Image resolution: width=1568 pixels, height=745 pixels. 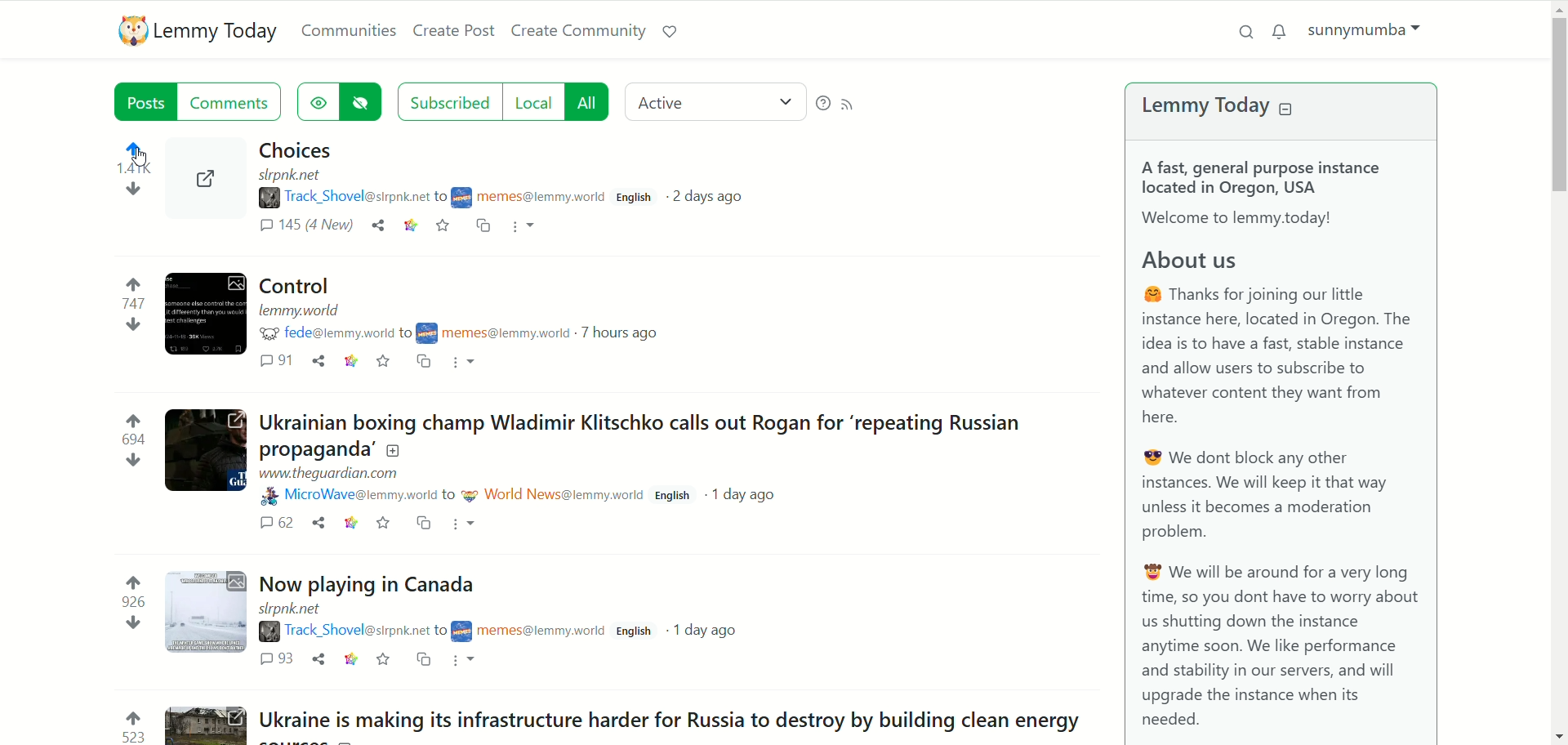 What do you see at coordinates (443, 194) in the screenshot?
I see `to` at bounding box center [443, 194].